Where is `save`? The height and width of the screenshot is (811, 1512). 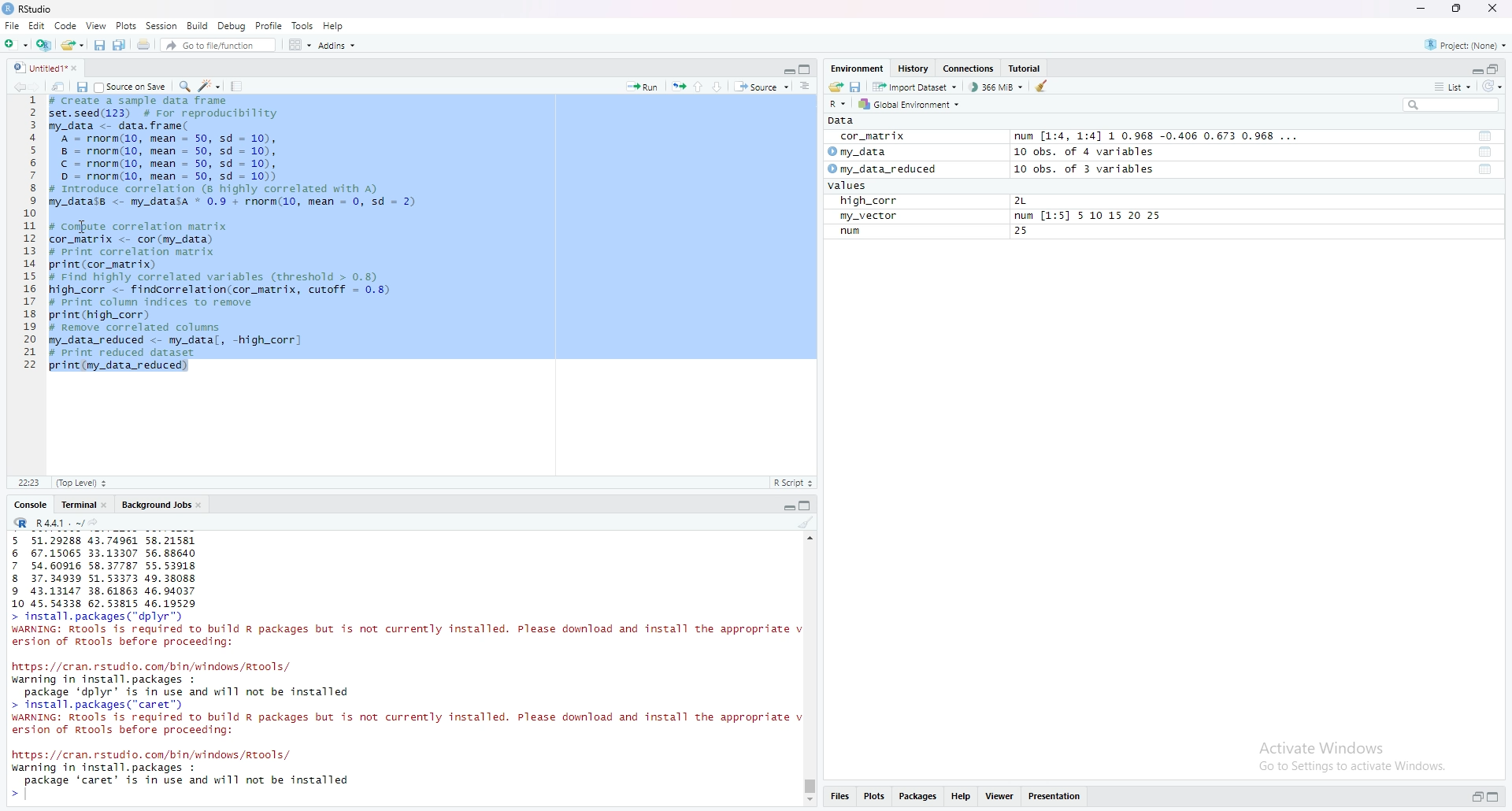 save is located at coordinates (101, 46).